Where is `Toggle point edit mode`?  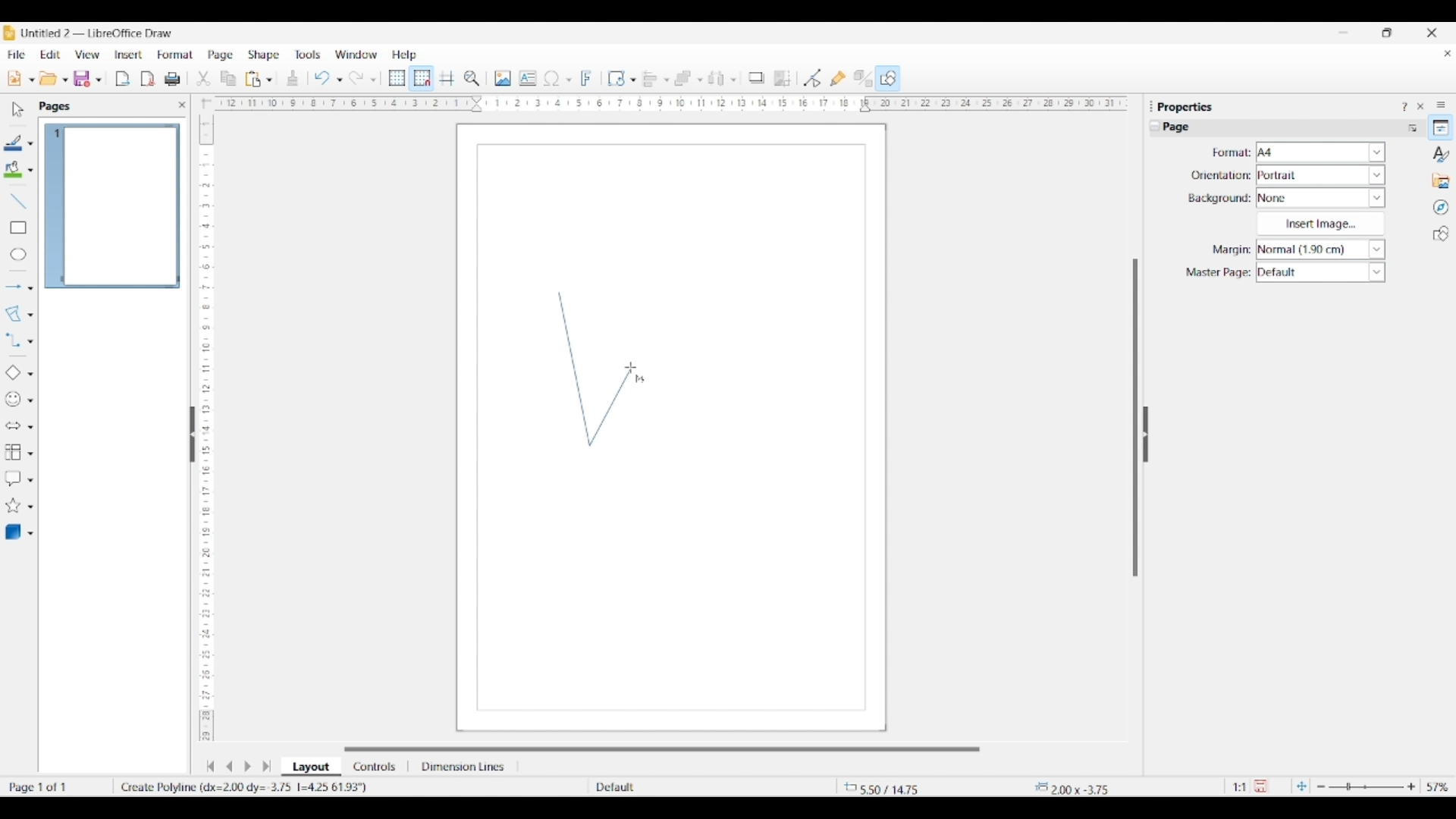
Toggle point edit mode is located at coordinates (813, 79).